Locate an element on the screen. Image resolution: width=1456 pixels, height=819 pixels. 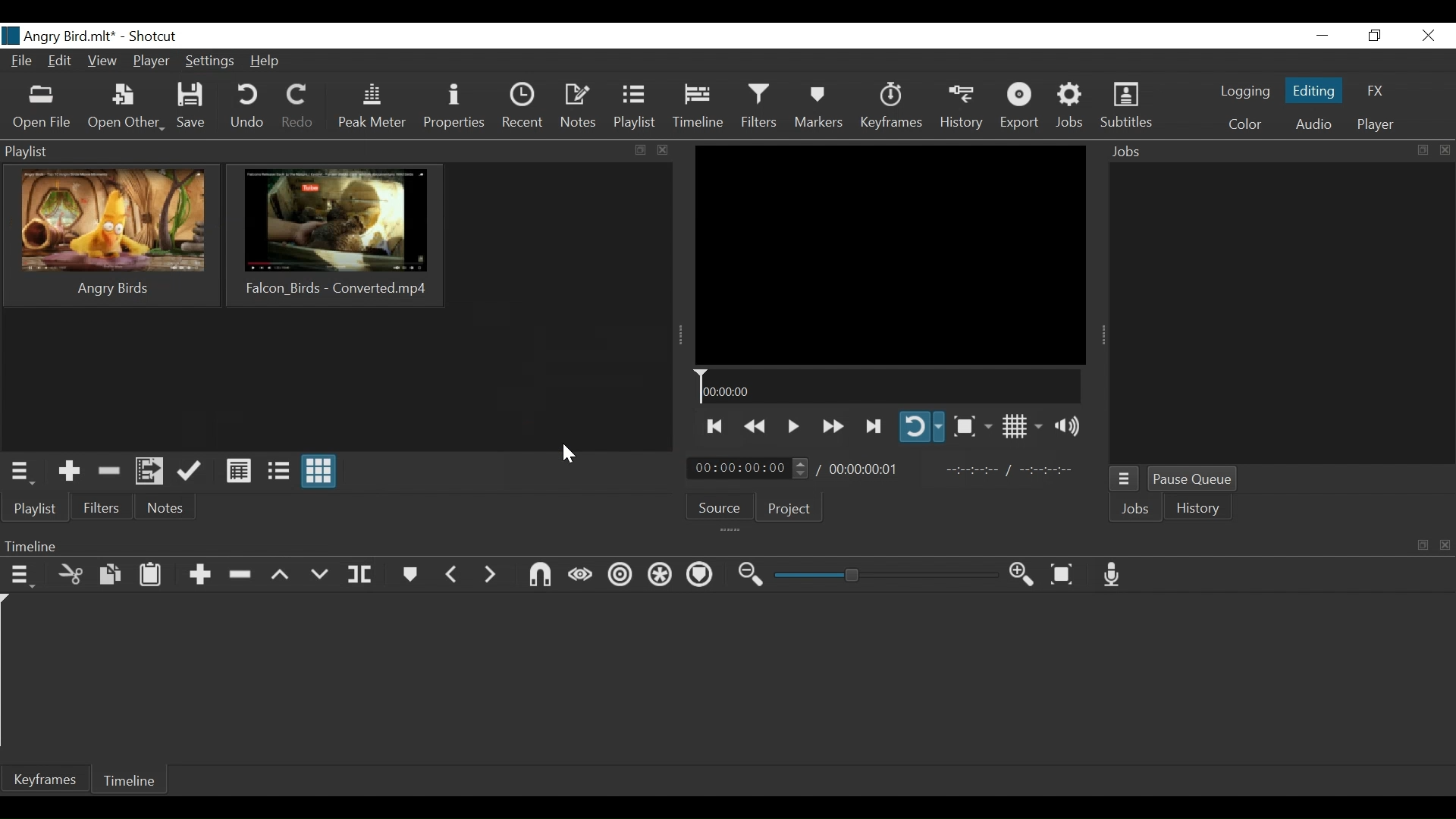
Timeline menu is located at coordinates (24, 578).